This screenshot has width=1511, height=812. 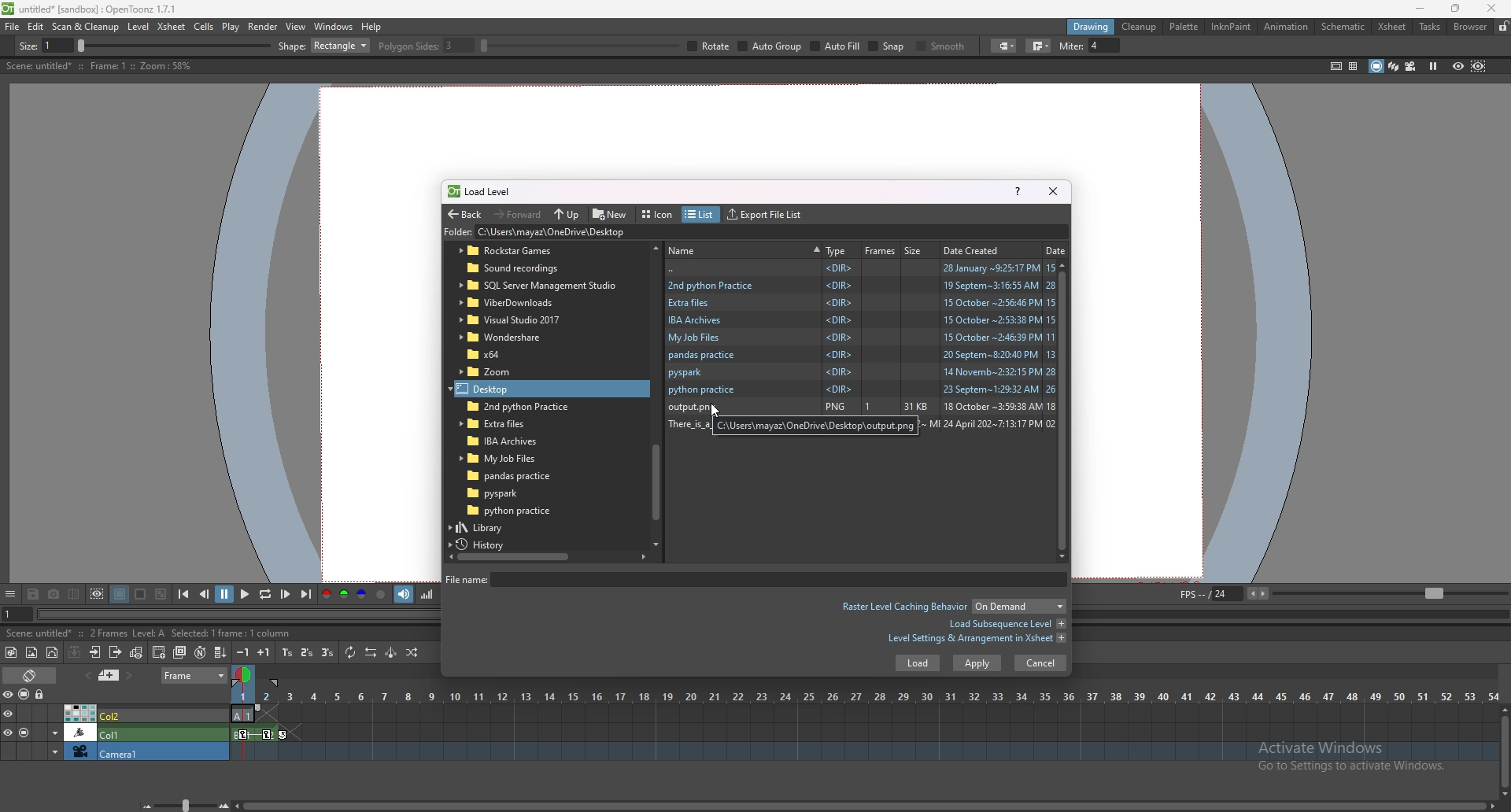 I want to click on folder, so click(x=506, y=337).